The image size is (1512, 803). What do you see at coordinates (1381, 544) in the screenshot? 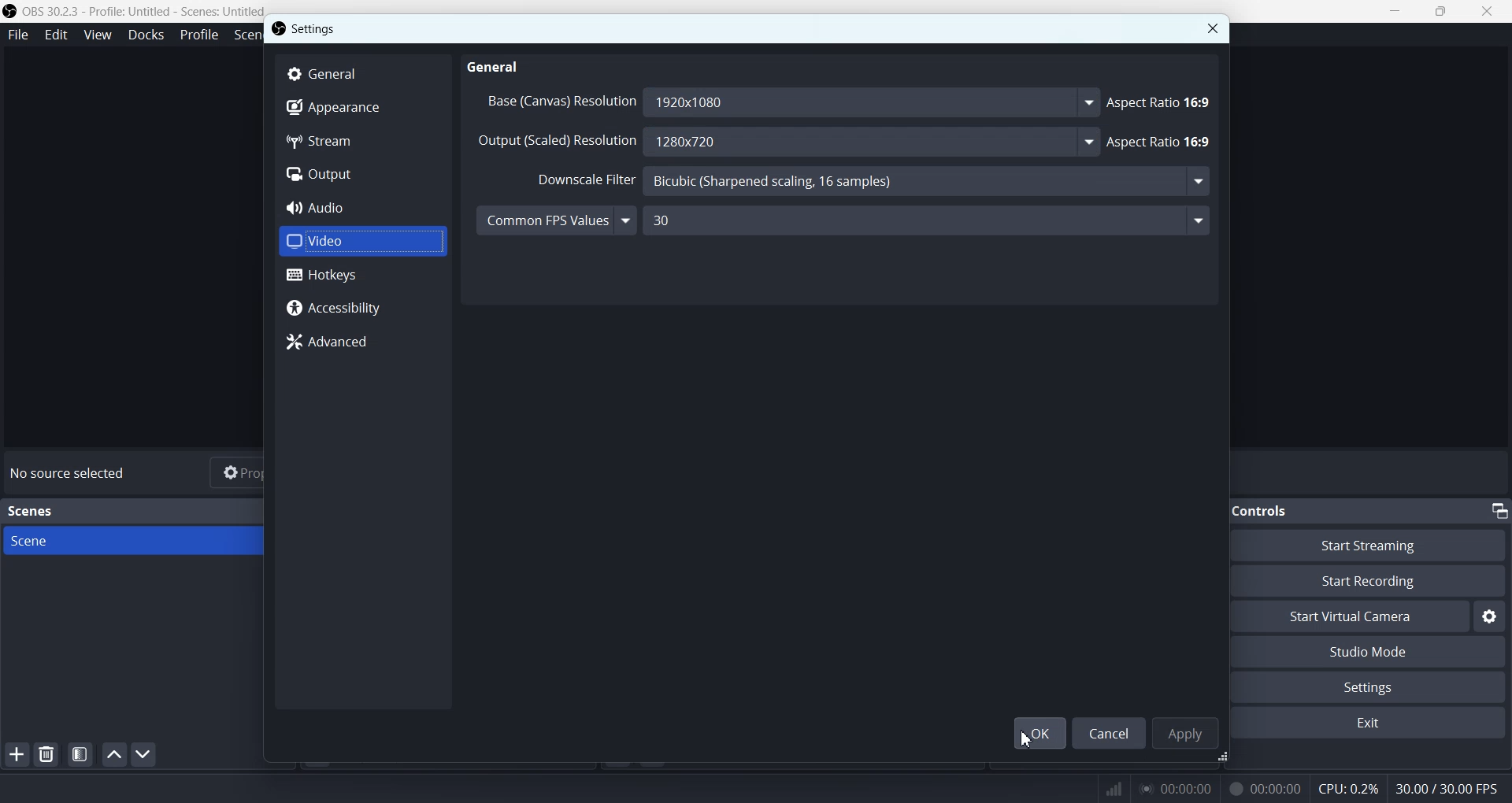
I see `Start Streaming` at bounding box center [1381, 544].